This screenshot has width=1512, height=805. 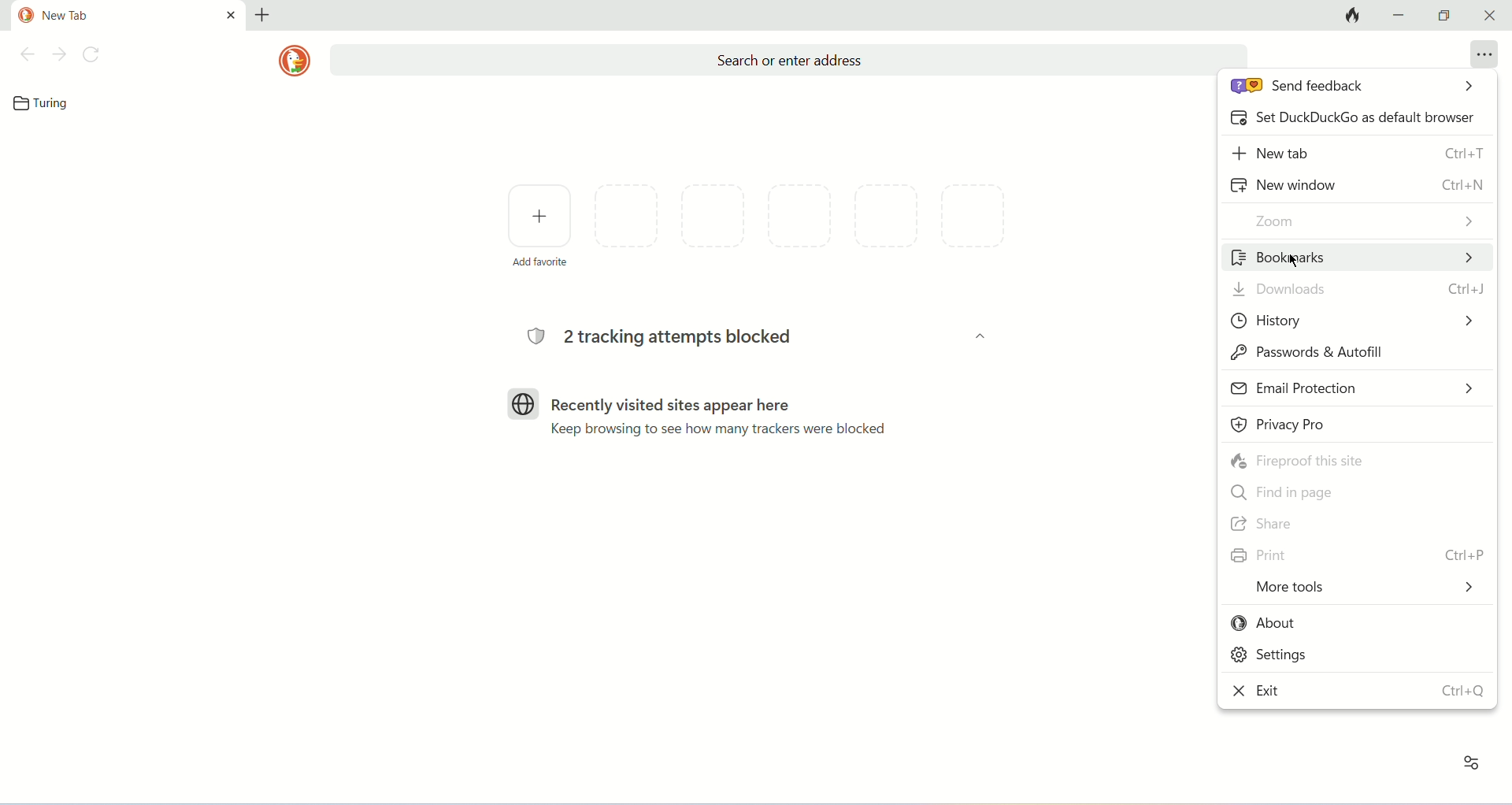 What do you see at coordinates (1357, 351) in the screenshot?
I see `password and autofill` at bounding box center [1357, 351].